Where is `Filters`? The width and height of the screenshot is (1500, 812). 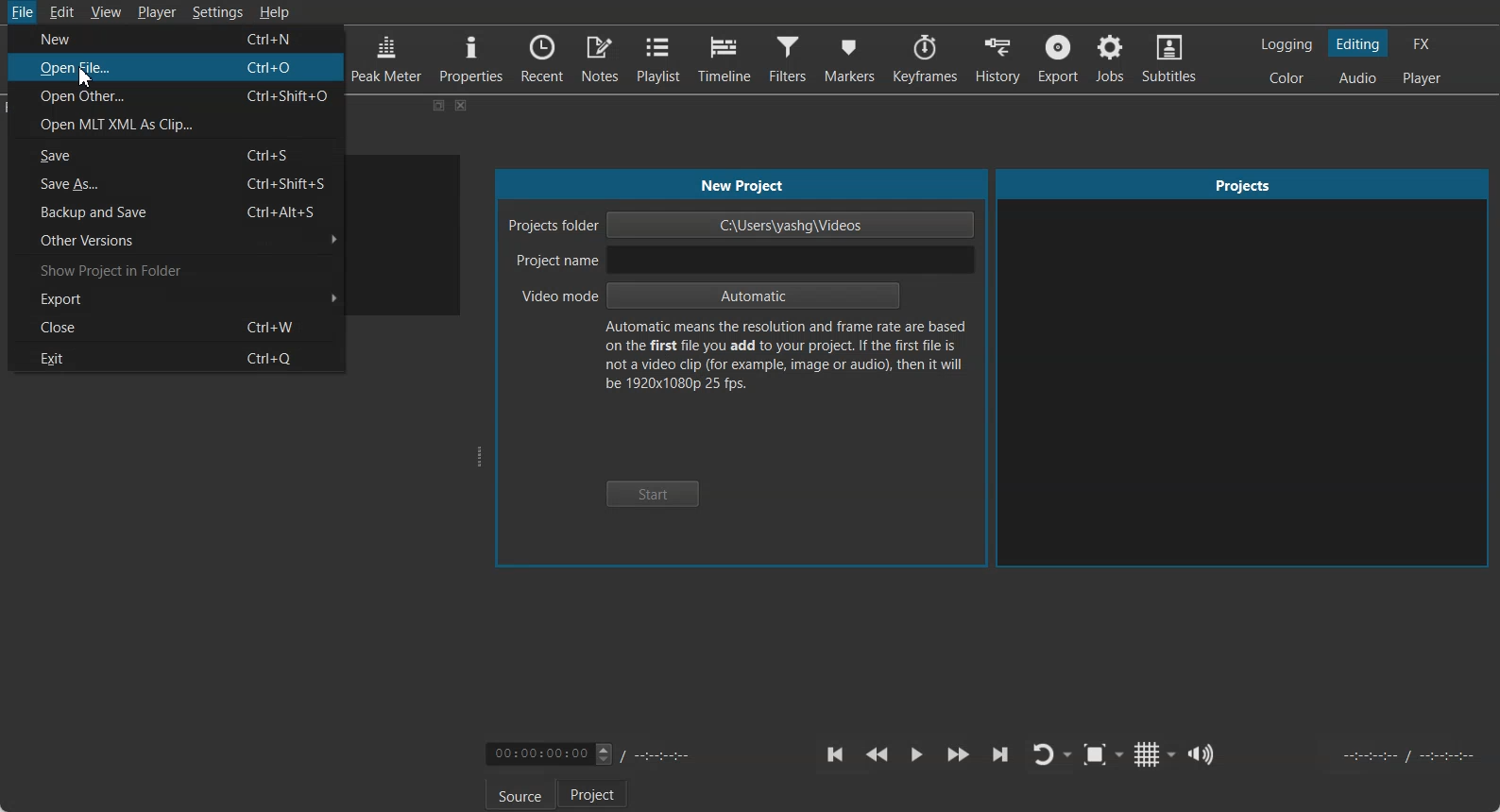 Filters is located at coordinates (791, 58).